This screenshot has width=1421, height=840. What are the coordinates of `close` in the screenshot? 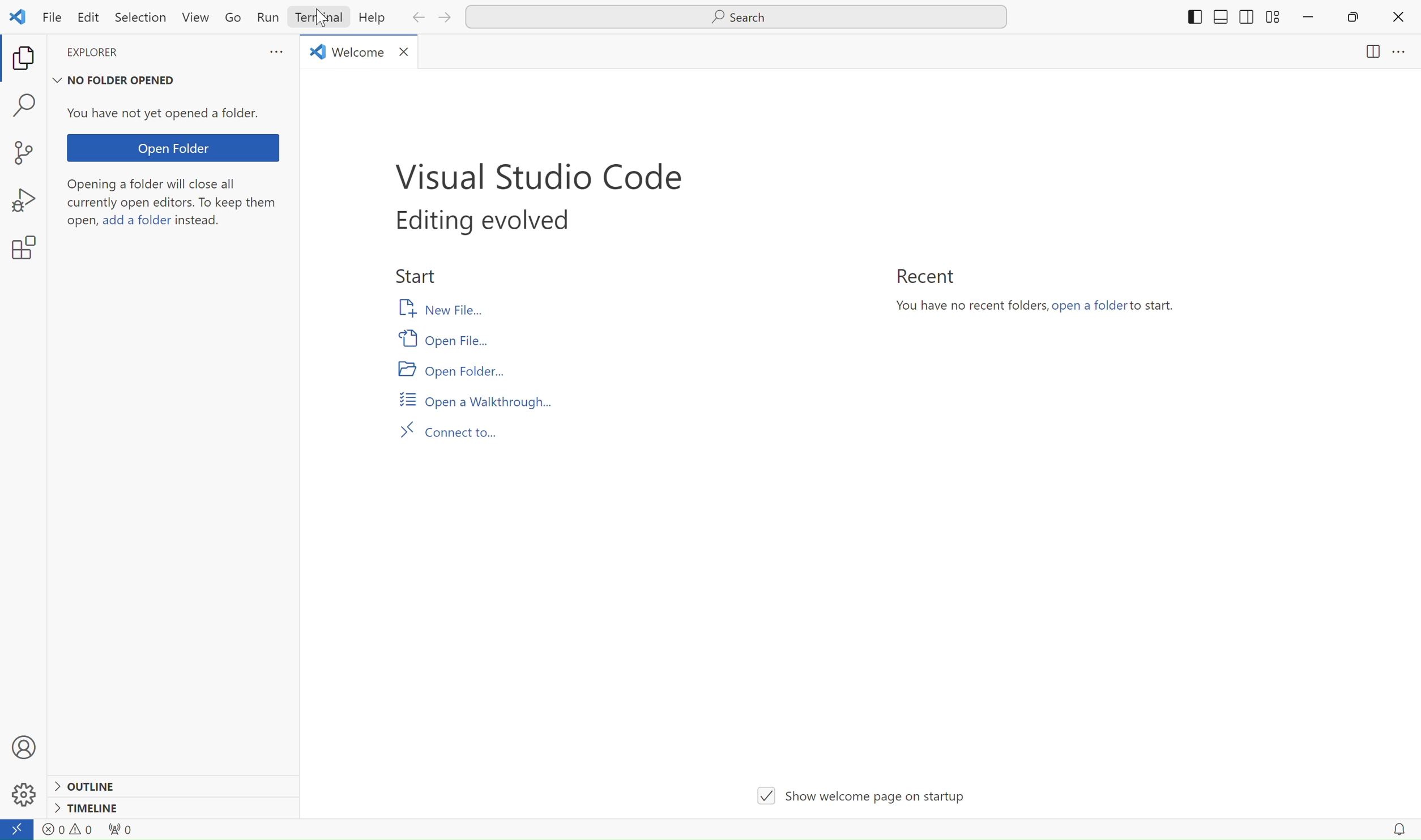 It's located at (1397, 14).